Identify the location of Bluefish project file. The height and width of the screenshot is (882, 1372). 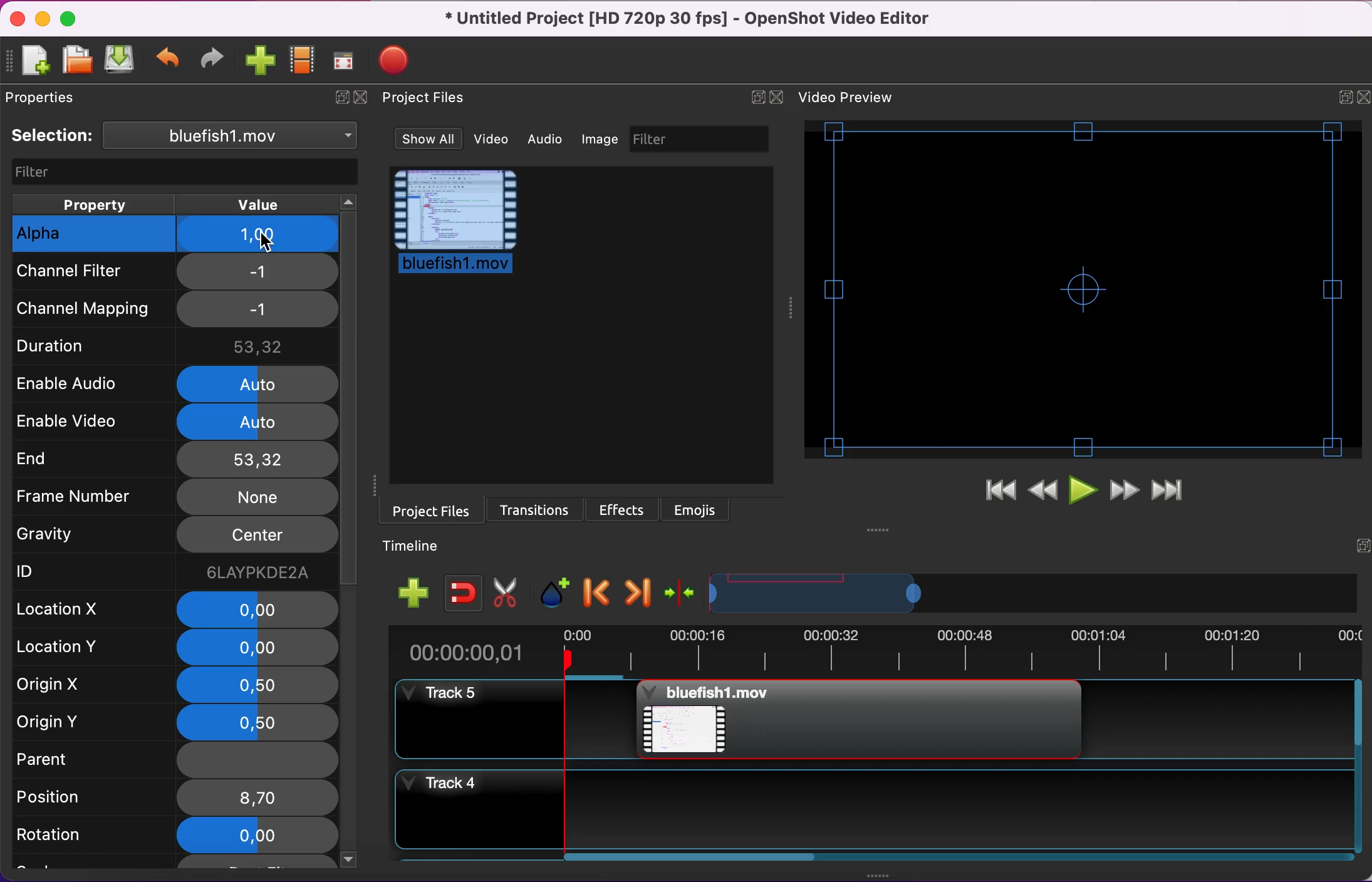
(858, 719).